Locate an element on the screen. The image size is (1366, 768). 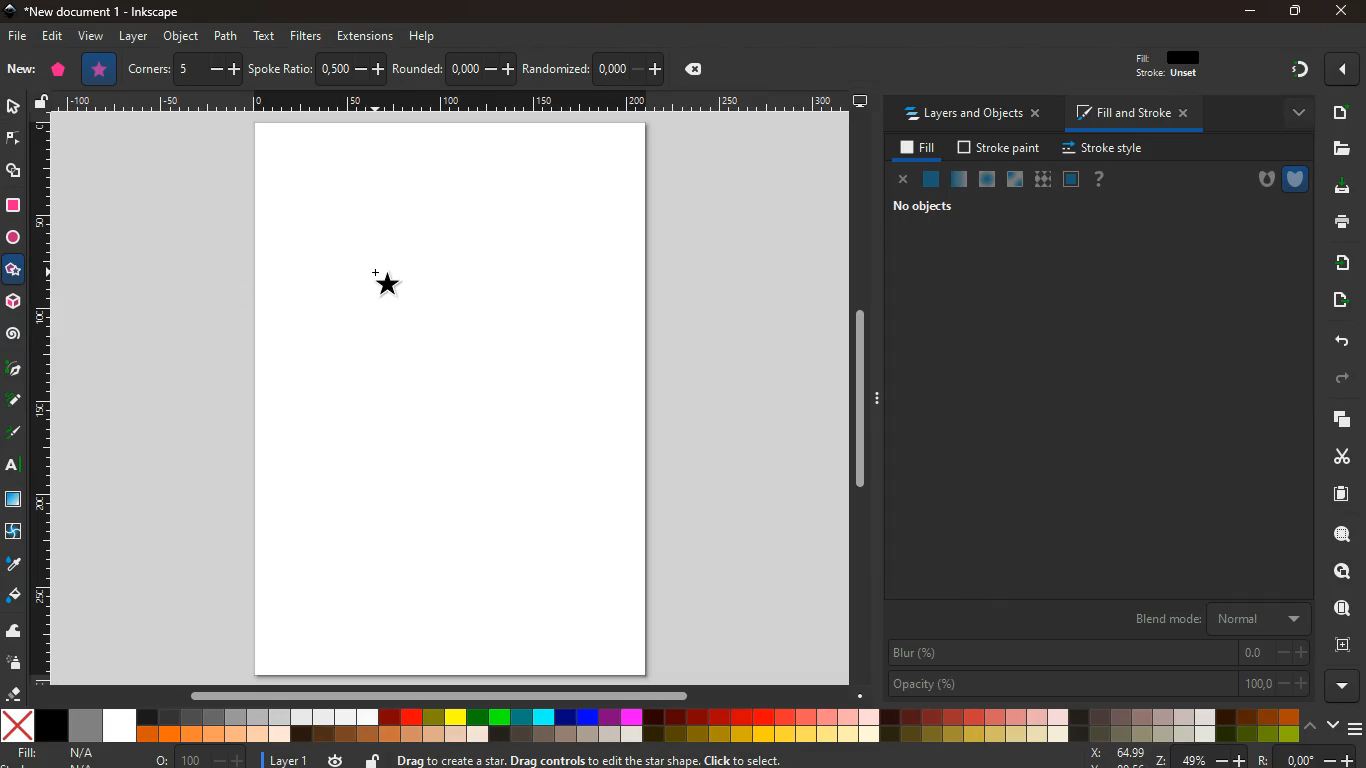
blur is located at coordinates (1095, 653).